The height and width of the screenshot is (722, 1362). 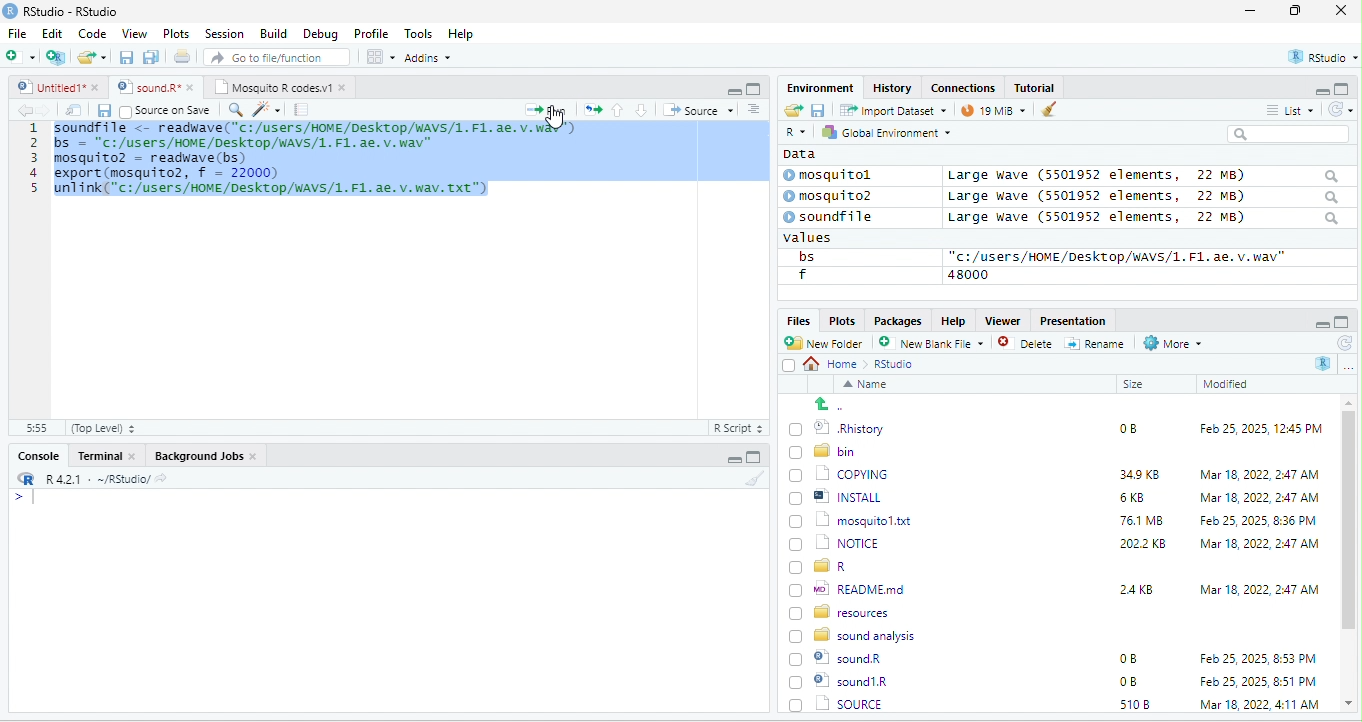 I want to click on Feb 25, 2025, 8:36 PM, so click(x=1254, y=520).